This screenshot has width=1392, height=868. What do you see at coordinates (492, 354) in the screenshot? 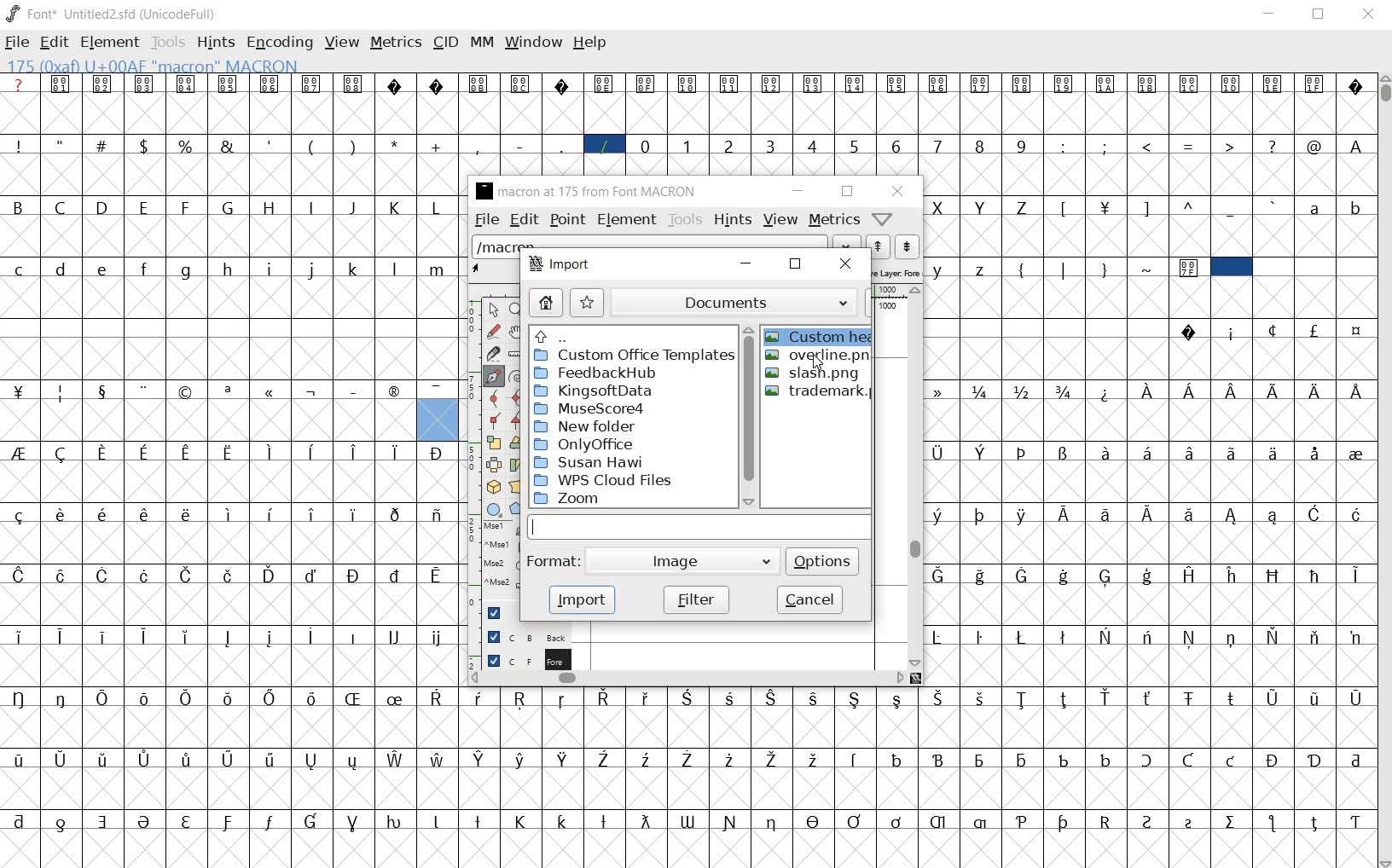
I see `knife` at bounding box center [492, 354].